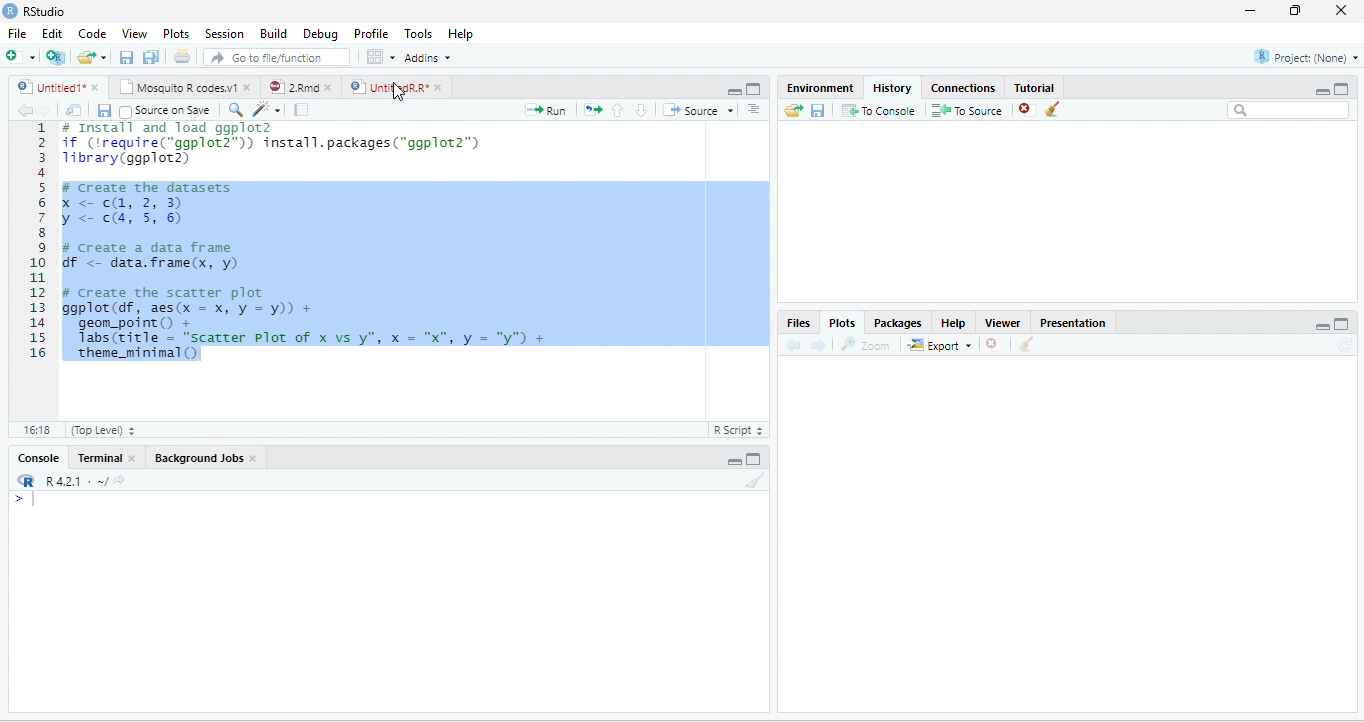 The width and height of the screenshot is (1364, 722). I want to click on Compile Report, so click(301, 110).